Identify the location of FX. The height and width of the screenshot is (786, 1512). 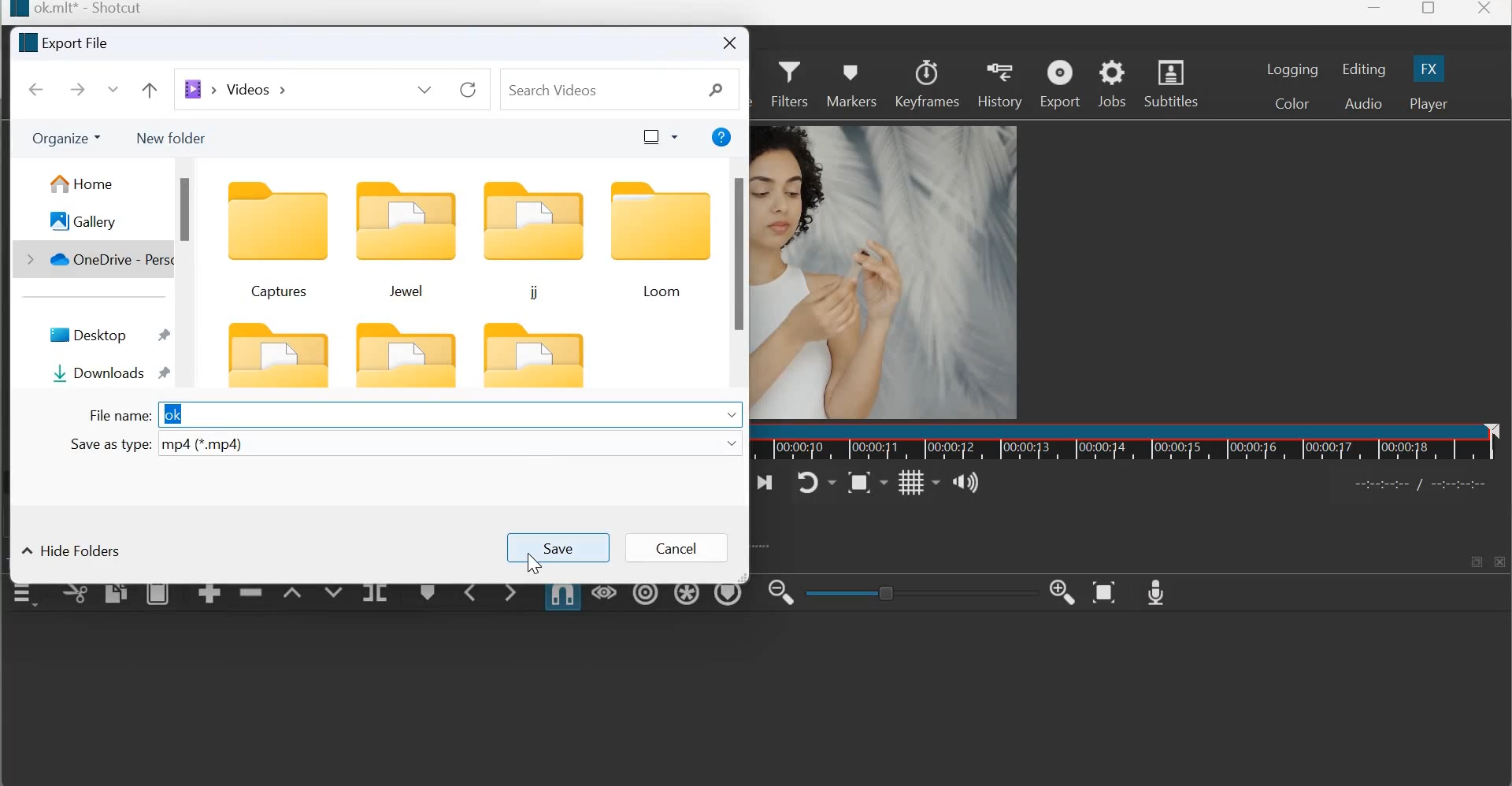
(1429, 68).